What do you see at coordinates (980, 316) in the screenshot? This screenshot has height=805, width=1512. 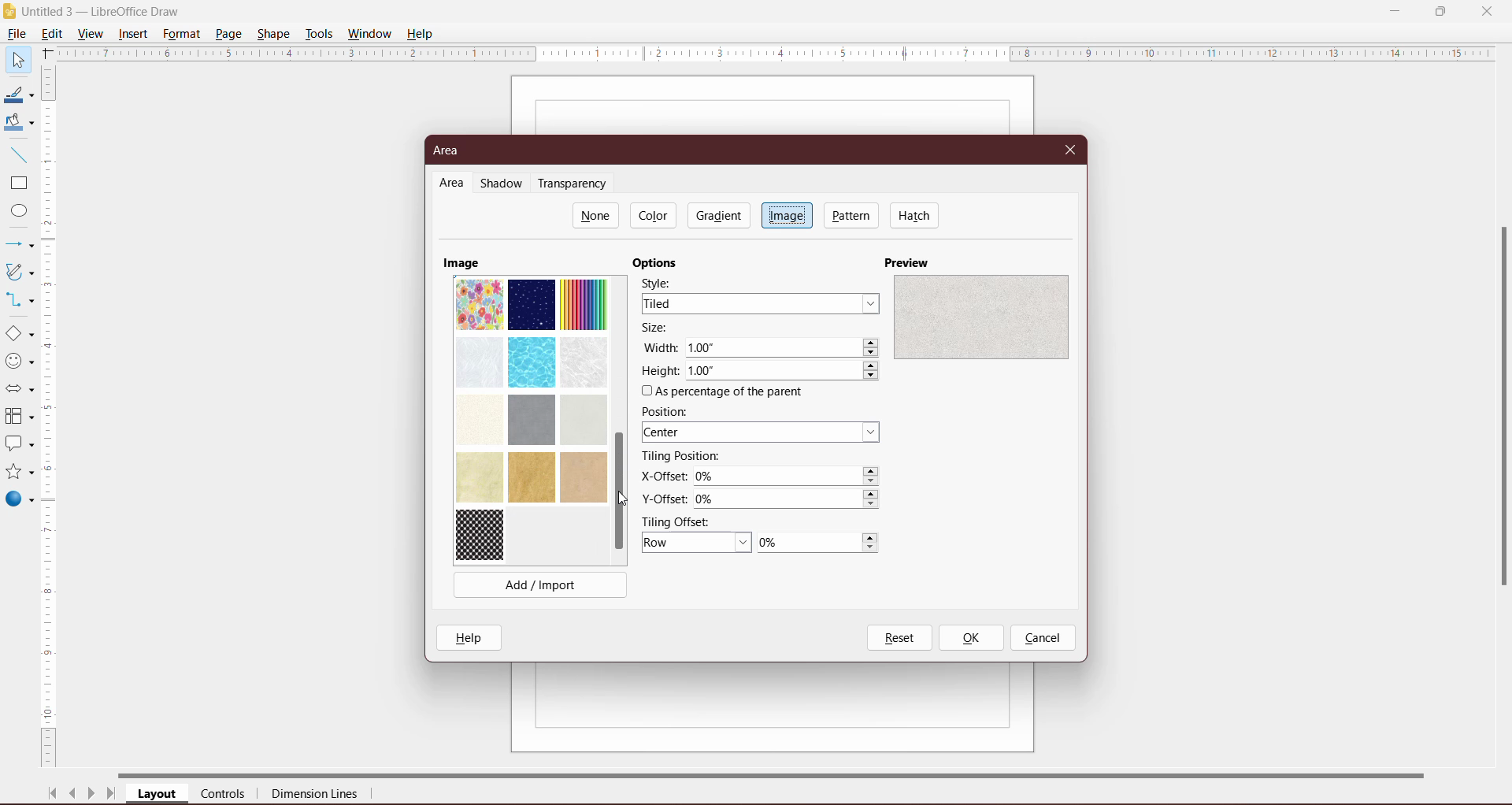 I see `preview` at bounding box center [980, 316].